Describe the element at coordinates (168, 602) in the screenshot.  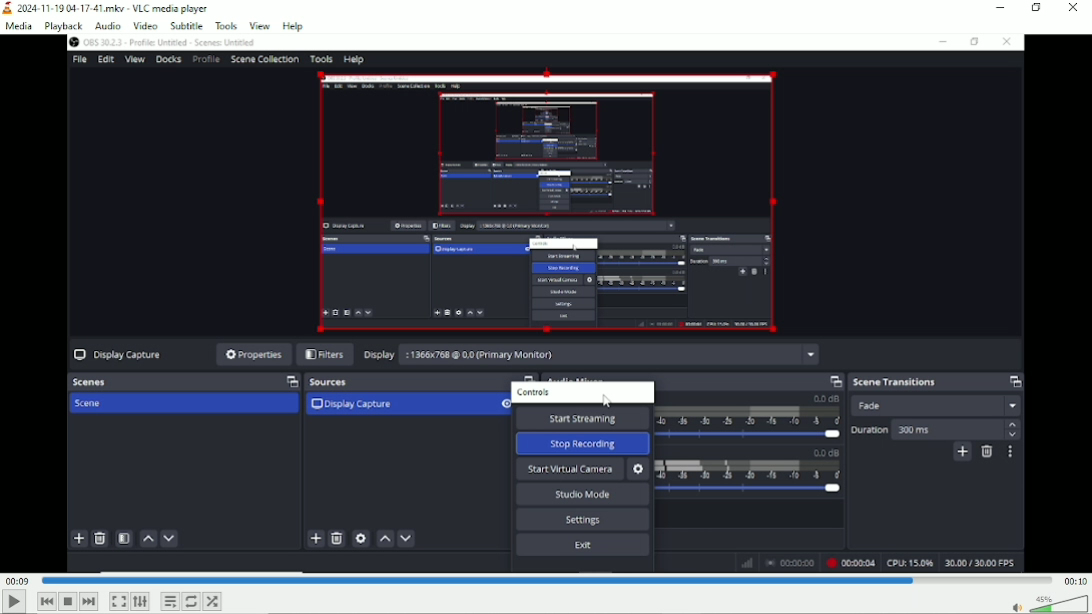
I see `Toggle playlist` at that location.